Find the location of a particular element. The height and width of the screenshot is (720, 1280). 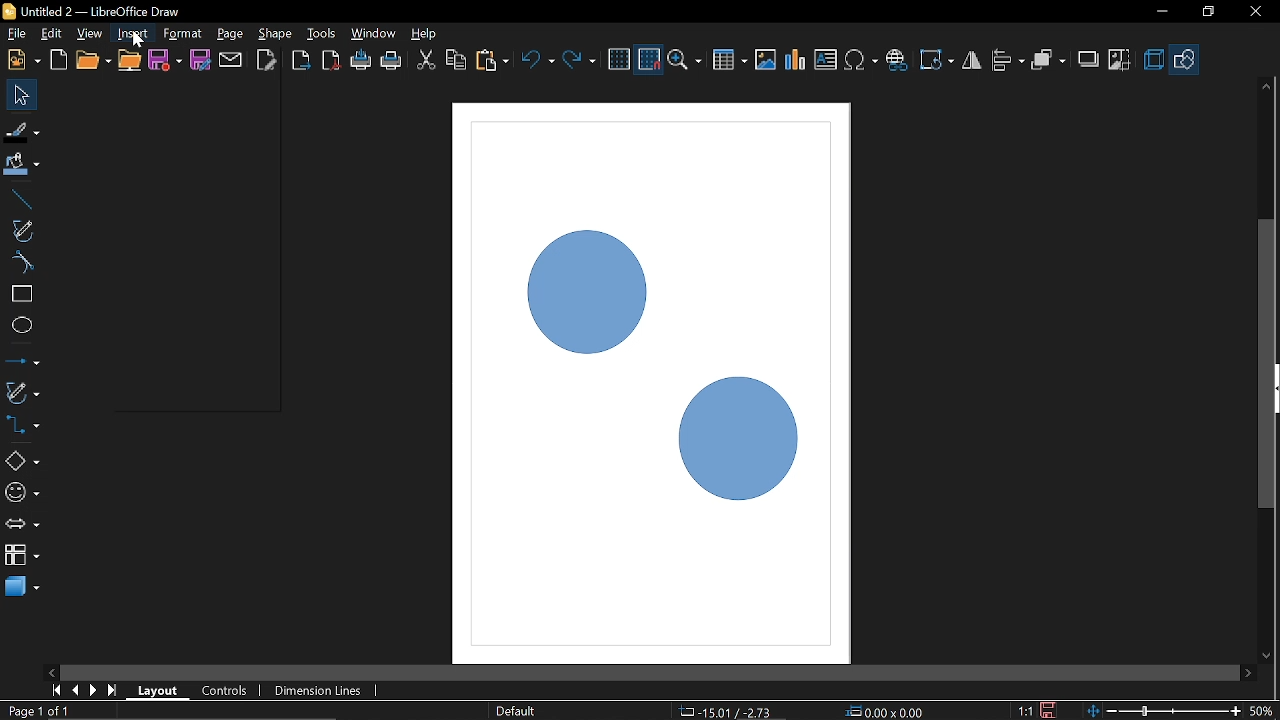

Page is located at coordinates (229, 34).